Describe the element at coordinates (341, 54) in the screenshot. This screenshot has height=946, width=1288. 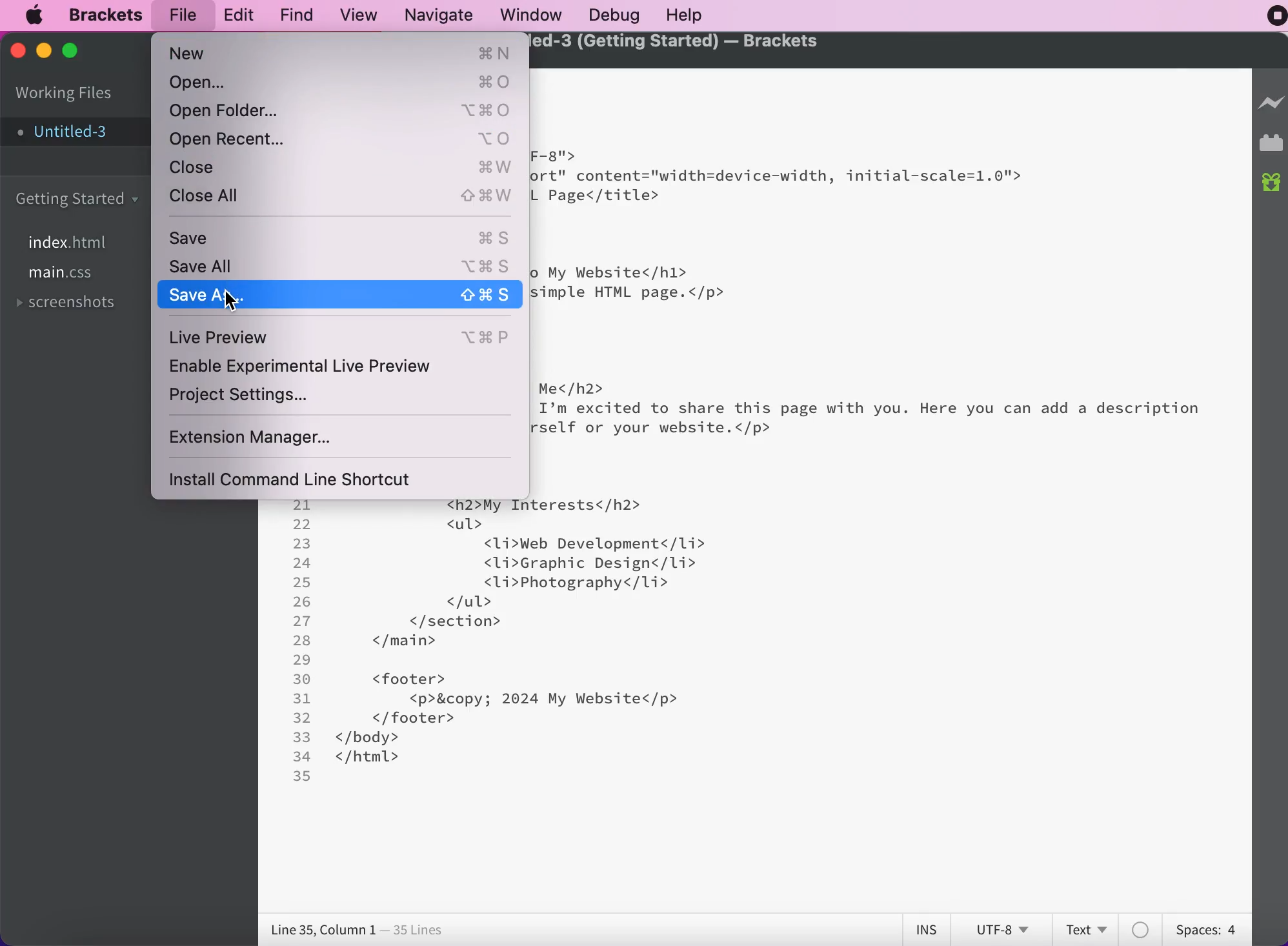
I see `new` at that location.